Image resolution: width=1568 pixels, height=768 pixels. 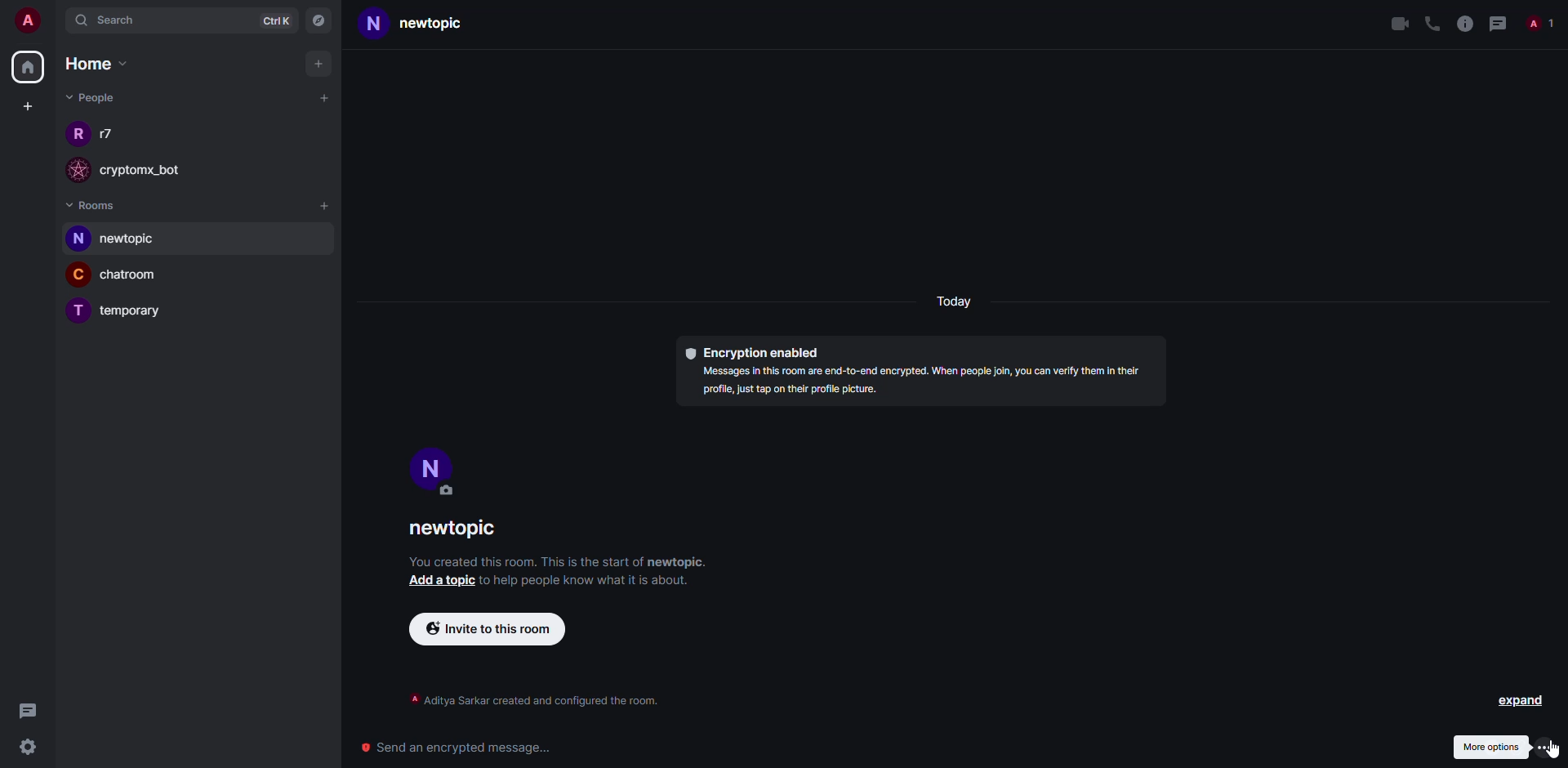 What do you see at coordinates (323, 98) in the screenshot?
I see `start chat` at bounding box center [323, 98].